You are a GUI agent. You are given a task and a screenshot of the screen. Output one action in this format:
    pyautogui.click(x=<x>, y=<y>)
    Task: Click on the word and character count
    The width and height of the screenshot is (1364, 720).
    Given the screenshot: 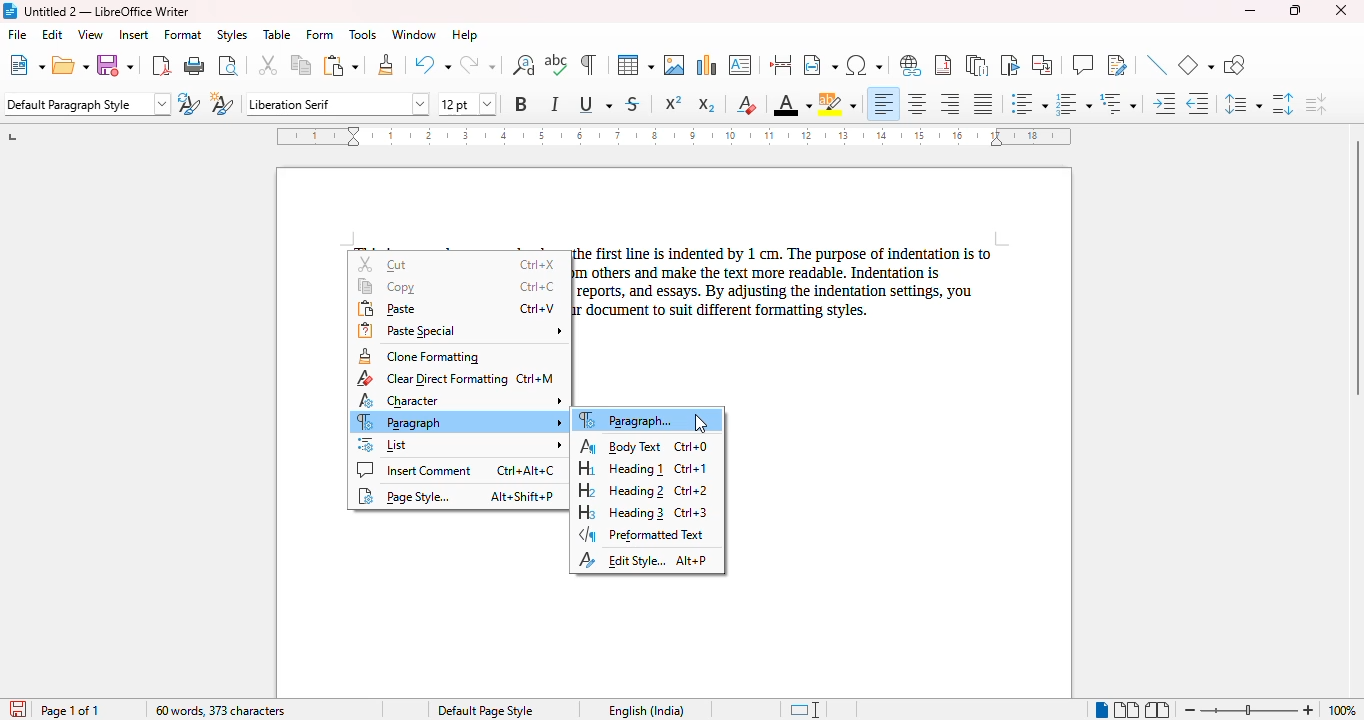 What is the action you would take?
    pyautogui.click(x=221, y=710)
    